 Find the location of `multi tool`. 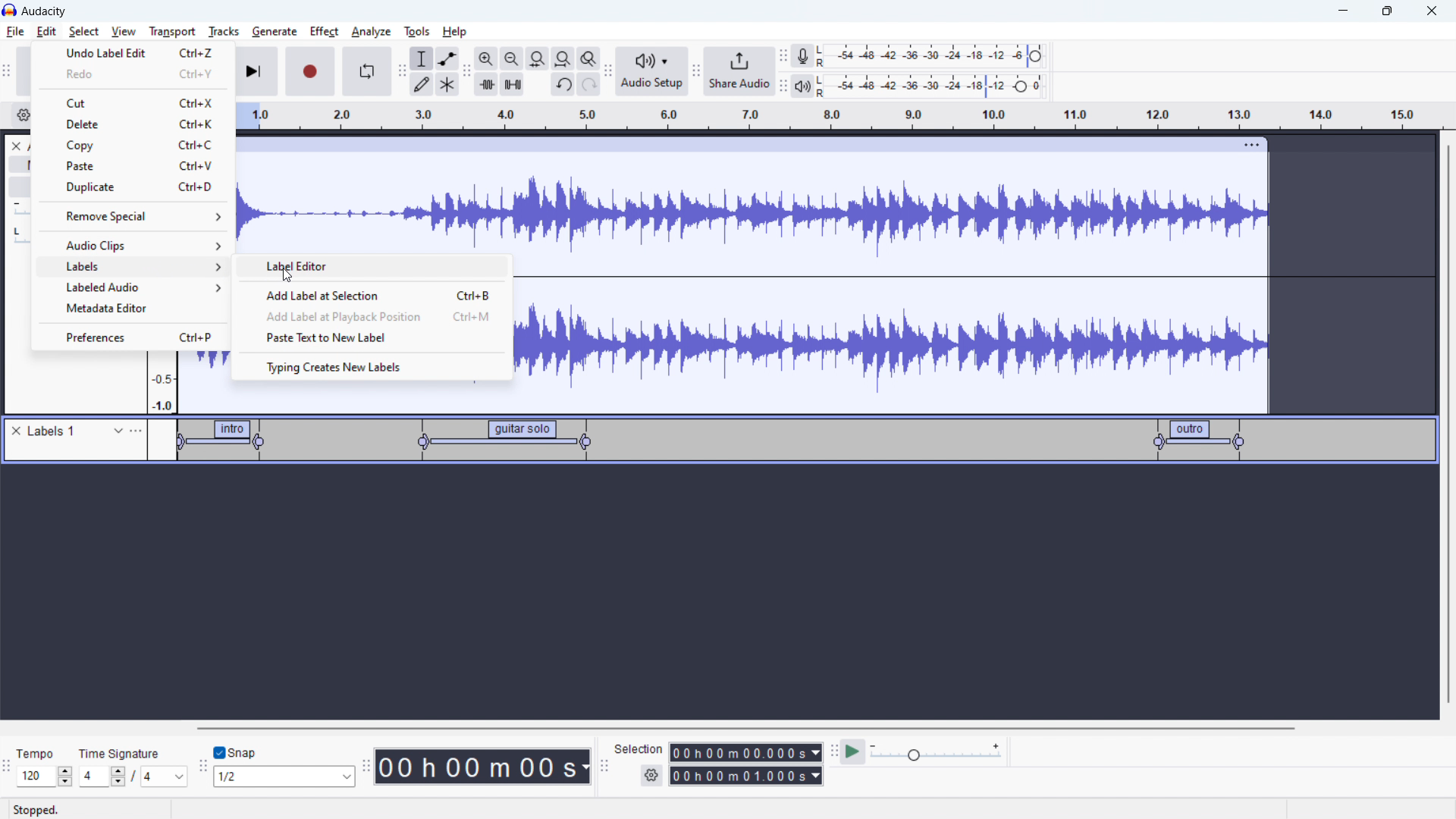

multi tool is located at coordinates (448, 84).